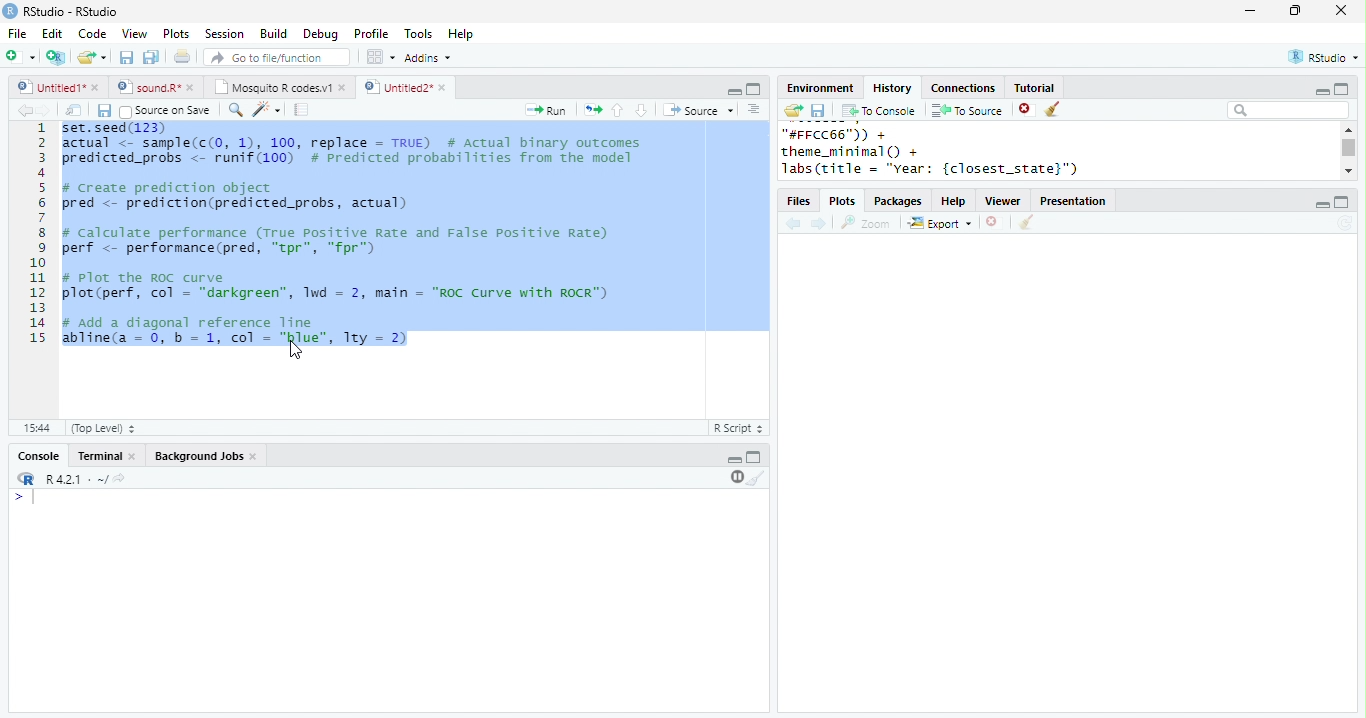 The height and width of the screenshot is (718, 1366). I want to click on Profile, so click(371, 33).